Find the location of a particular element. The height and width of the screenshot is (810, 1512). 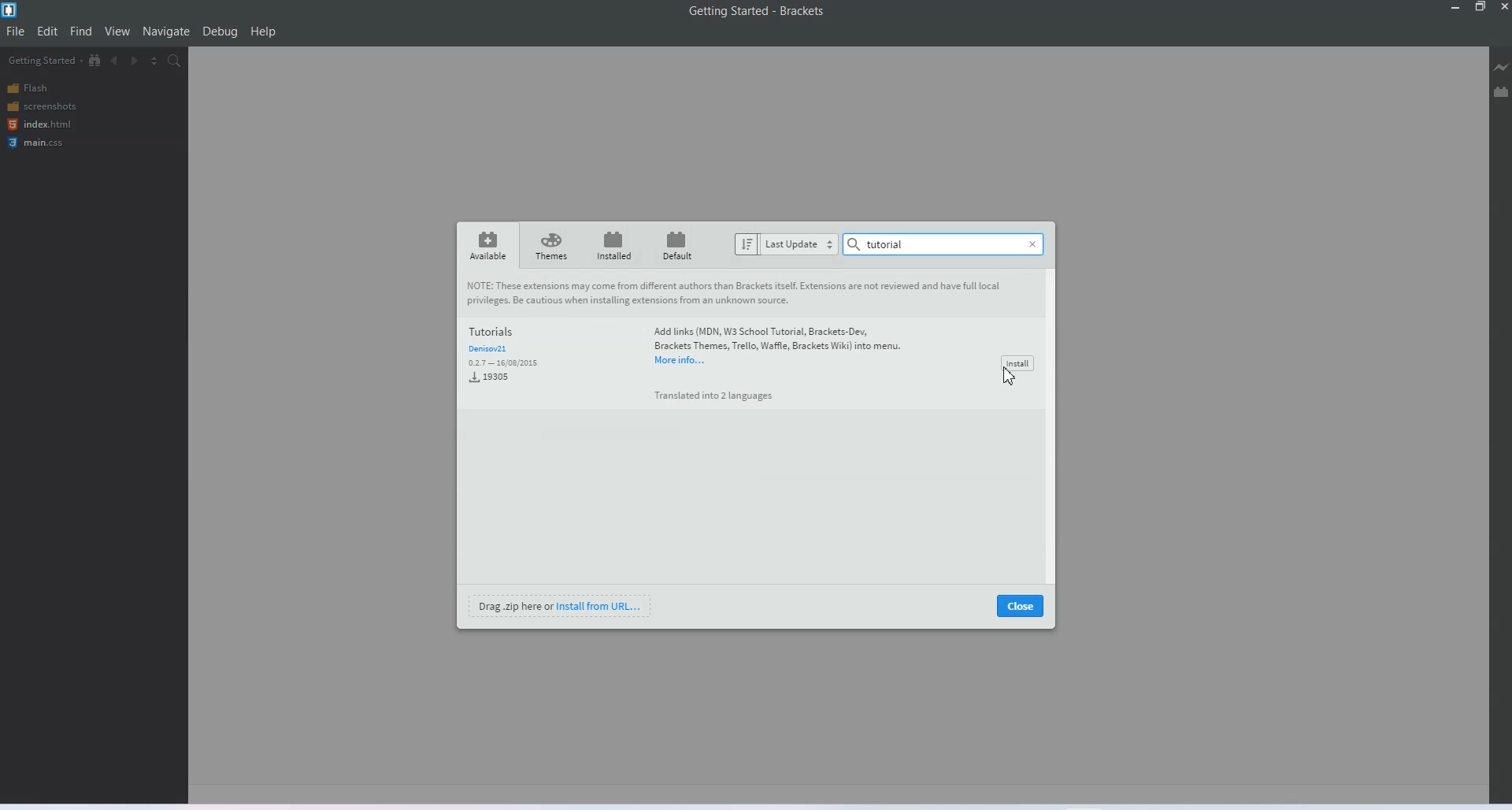

NOTE: These extensions may come from different authors than Brackets itself. Extensions are not reviewed and have full local
privileges. Be cautious when installing extensions from an unknown source. is located at coordinates (754, 295).